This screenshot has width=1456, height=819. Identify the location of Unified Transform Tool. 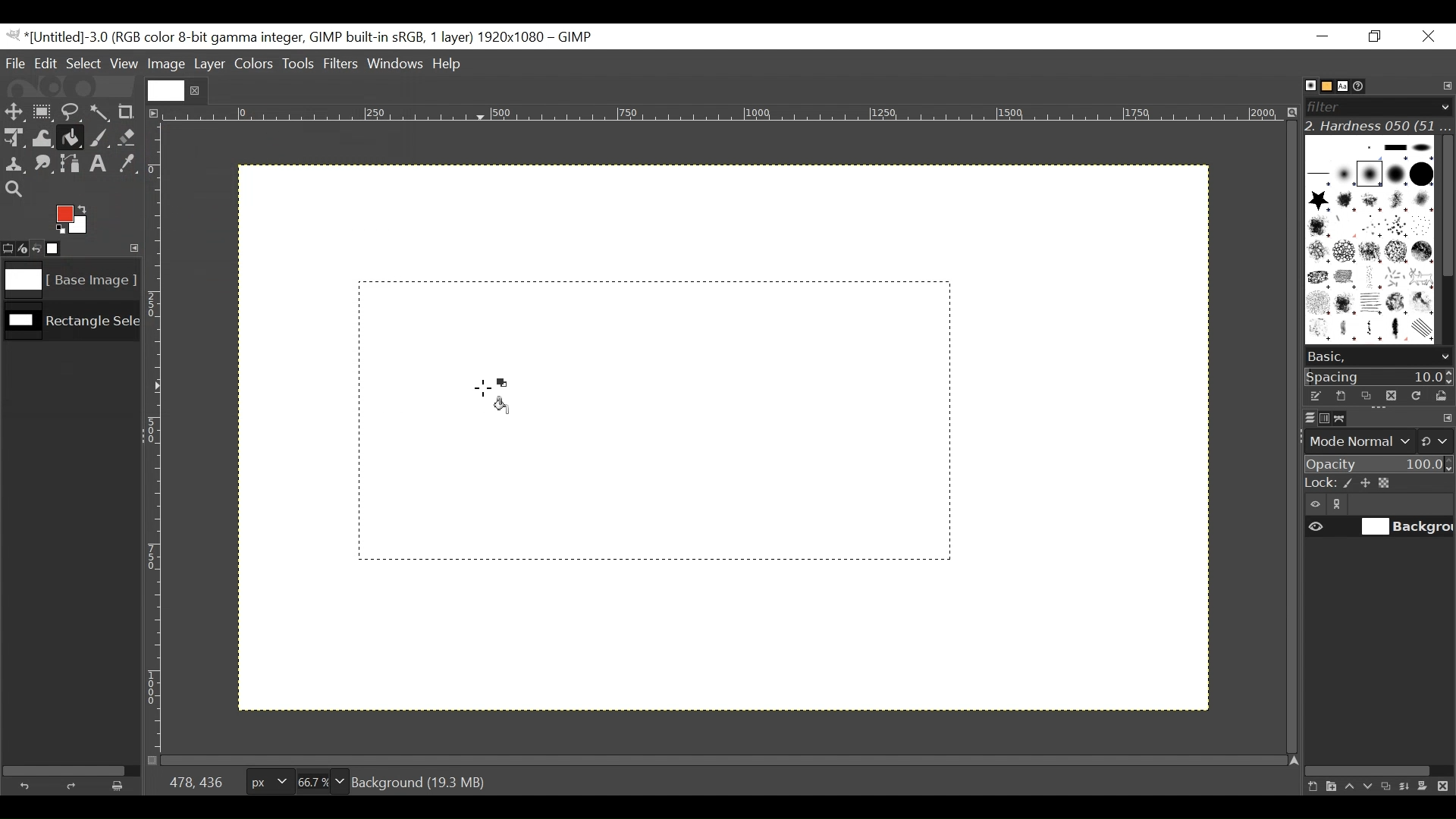
(13, 137).